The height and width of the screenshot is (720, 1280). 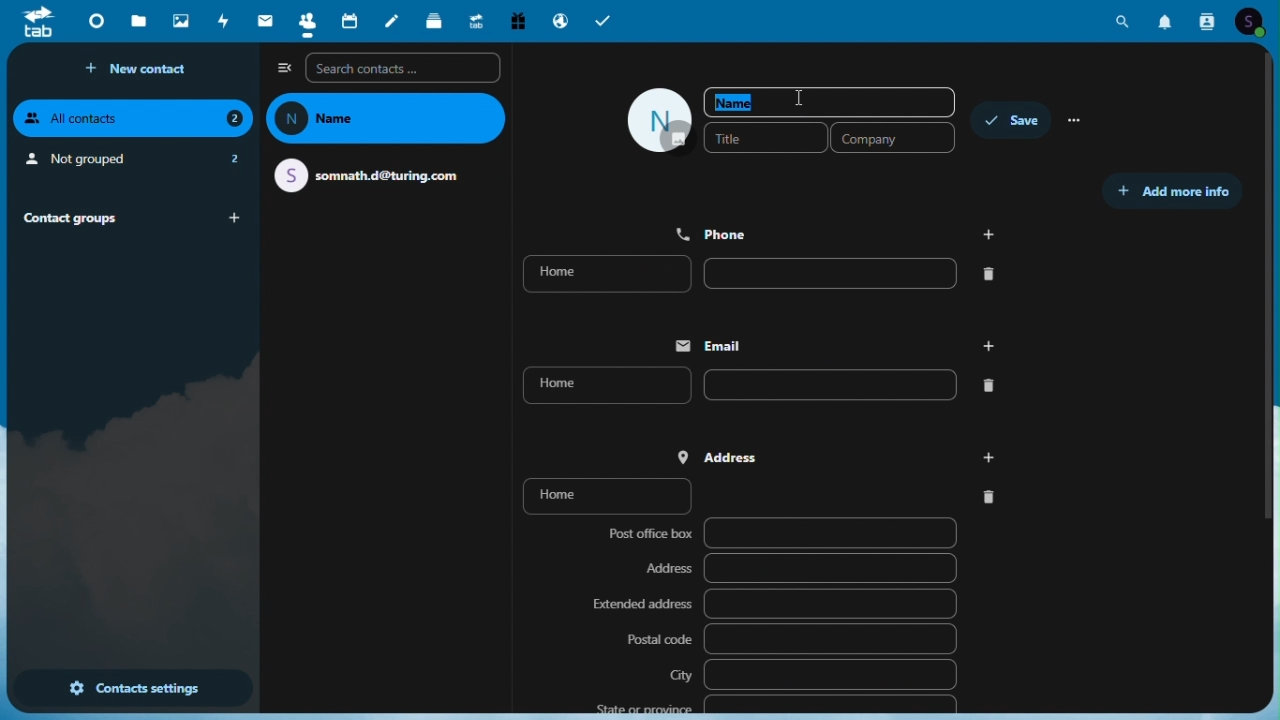 What do you see at coordinates (283, 67) in the screenshot?
I see `Collapse side bar` at bounding box center [283, 67].